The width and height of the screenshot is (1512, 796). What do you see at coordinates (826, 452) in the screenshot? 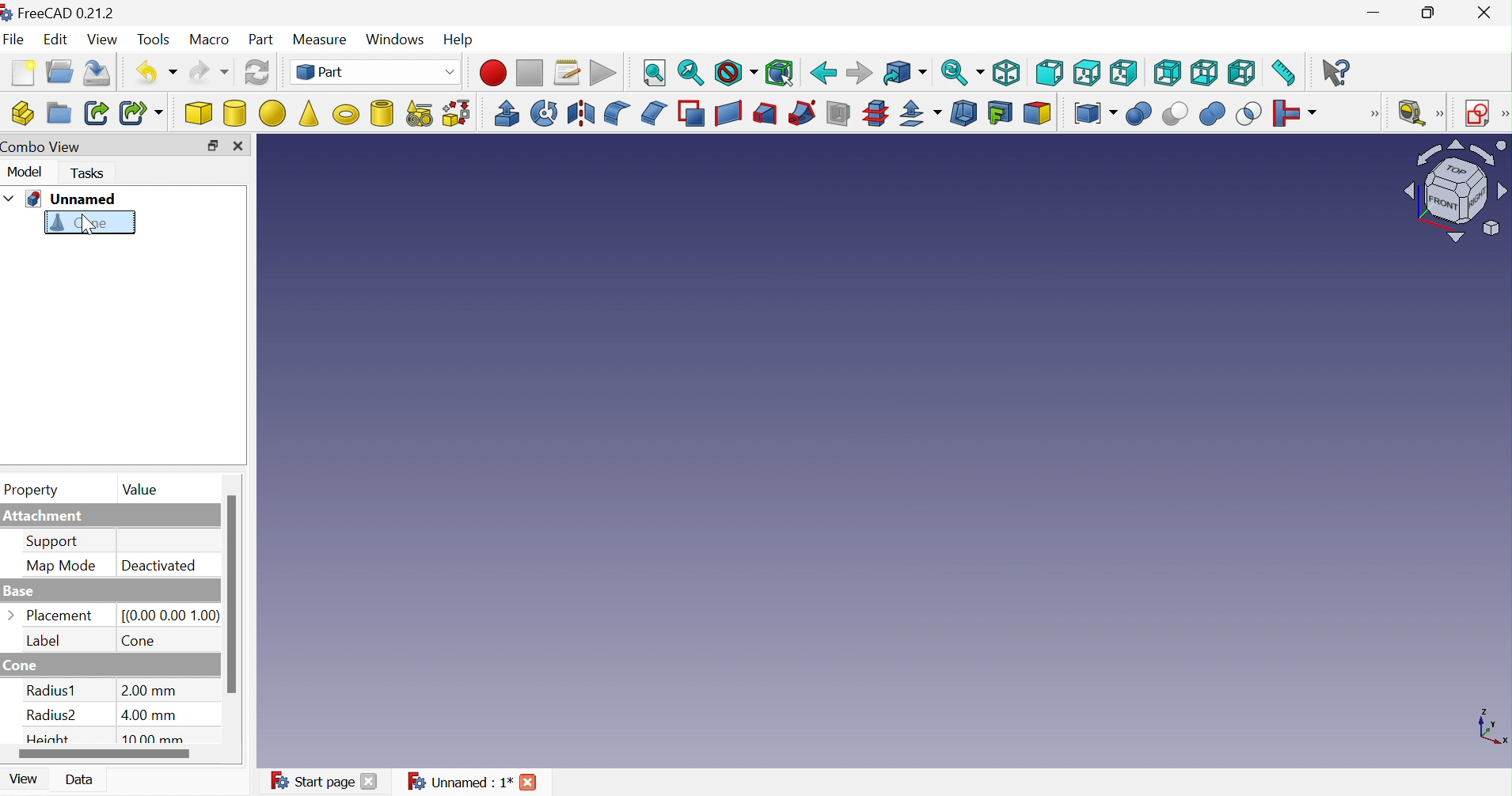
I see `workspace` at bounding box center [826, 452].